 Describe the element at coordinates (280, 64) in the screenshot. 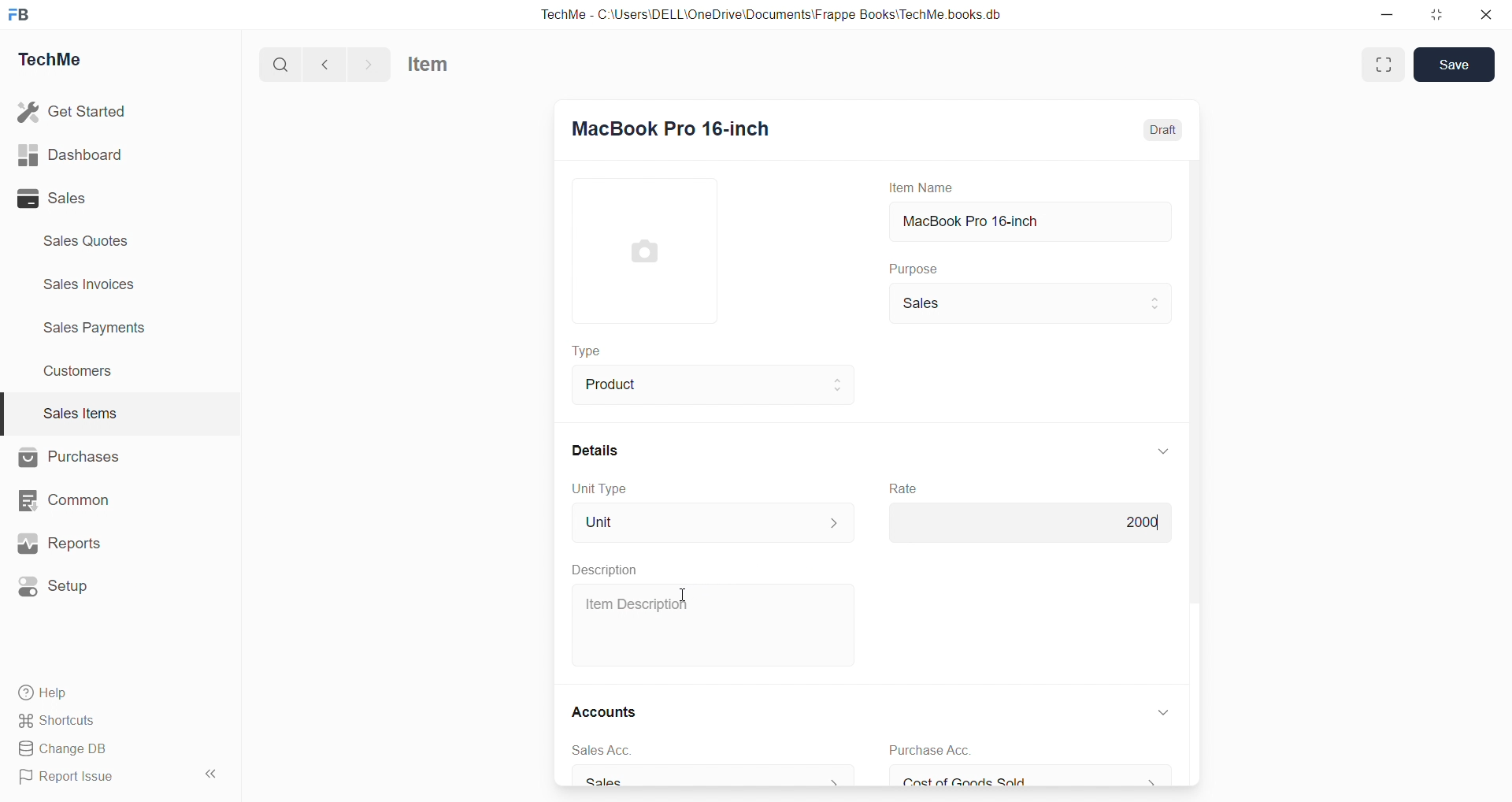

I see `search` at that location.